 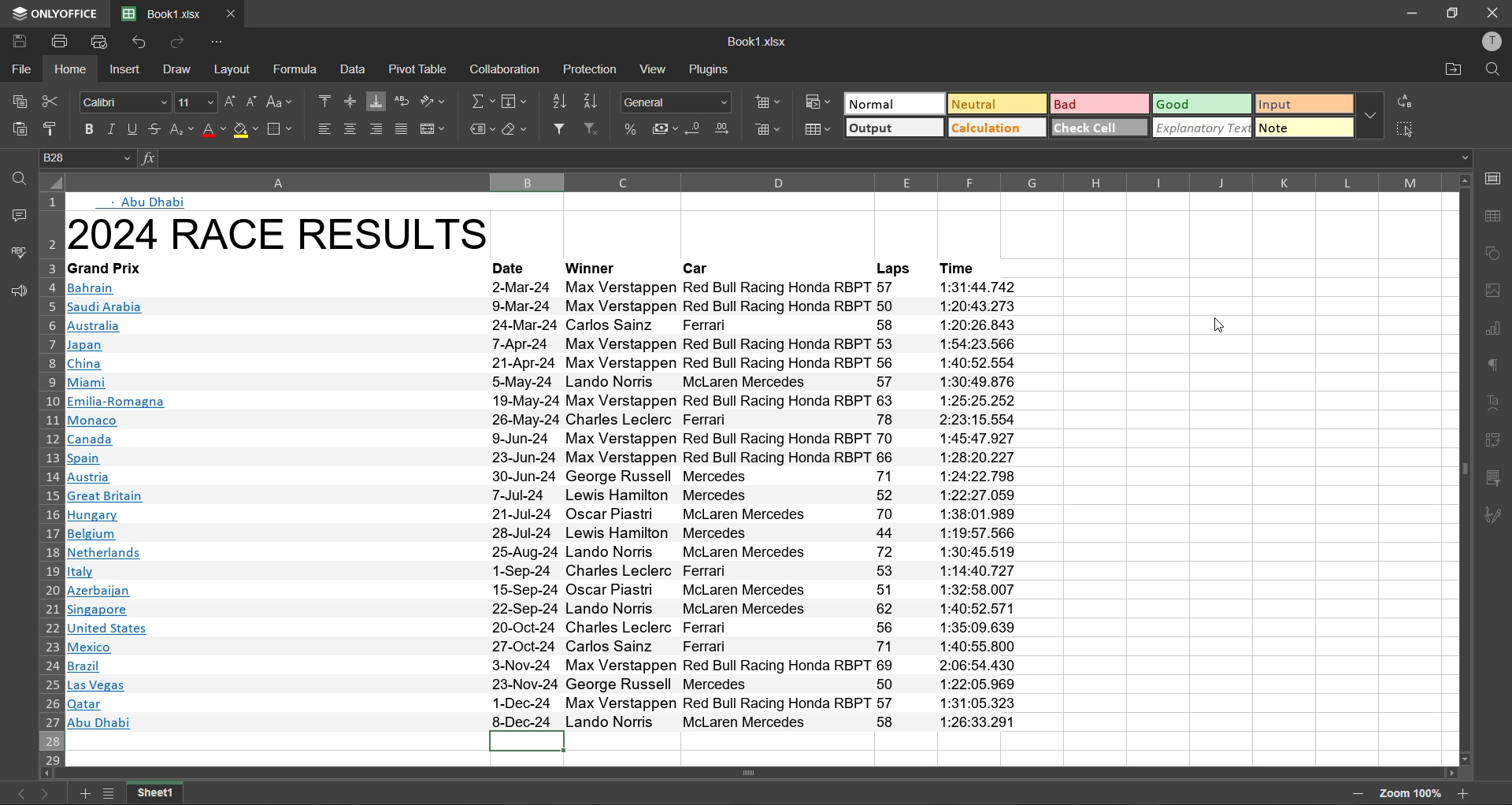 What do you see at coordinates (542, 571) in the screenshot?
I see `Mitaly 1-Sep-24 Charles Leclerc Ferrari 53 1:14:40.727` at bounding box center [542, 571].